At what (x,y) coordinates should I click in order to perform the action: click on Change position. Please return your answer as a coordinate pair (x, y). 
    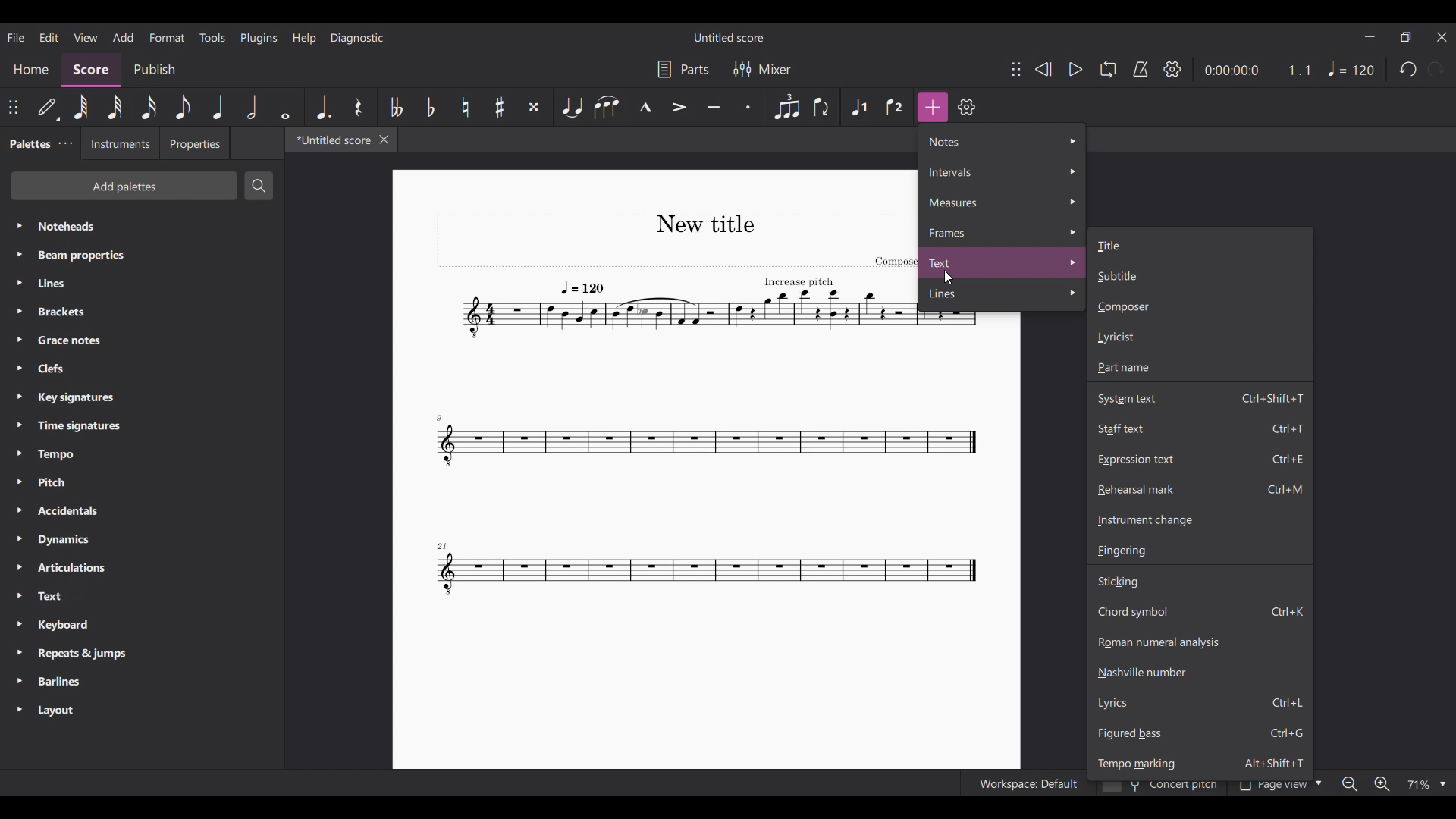
    Looking at the image, I should click on (13, 107).